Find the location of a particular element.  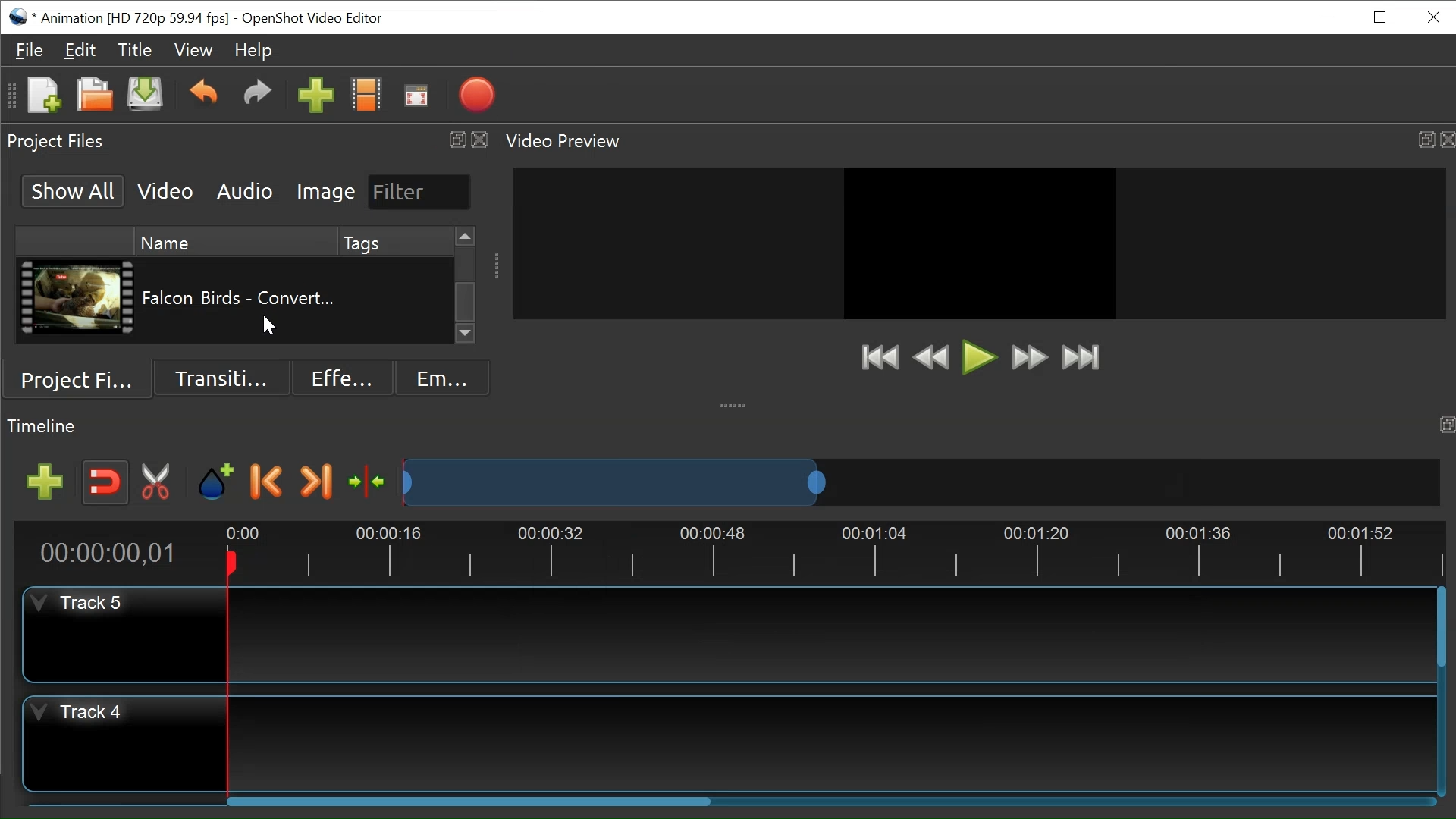

Maximize is located at coordinates (453, 140).